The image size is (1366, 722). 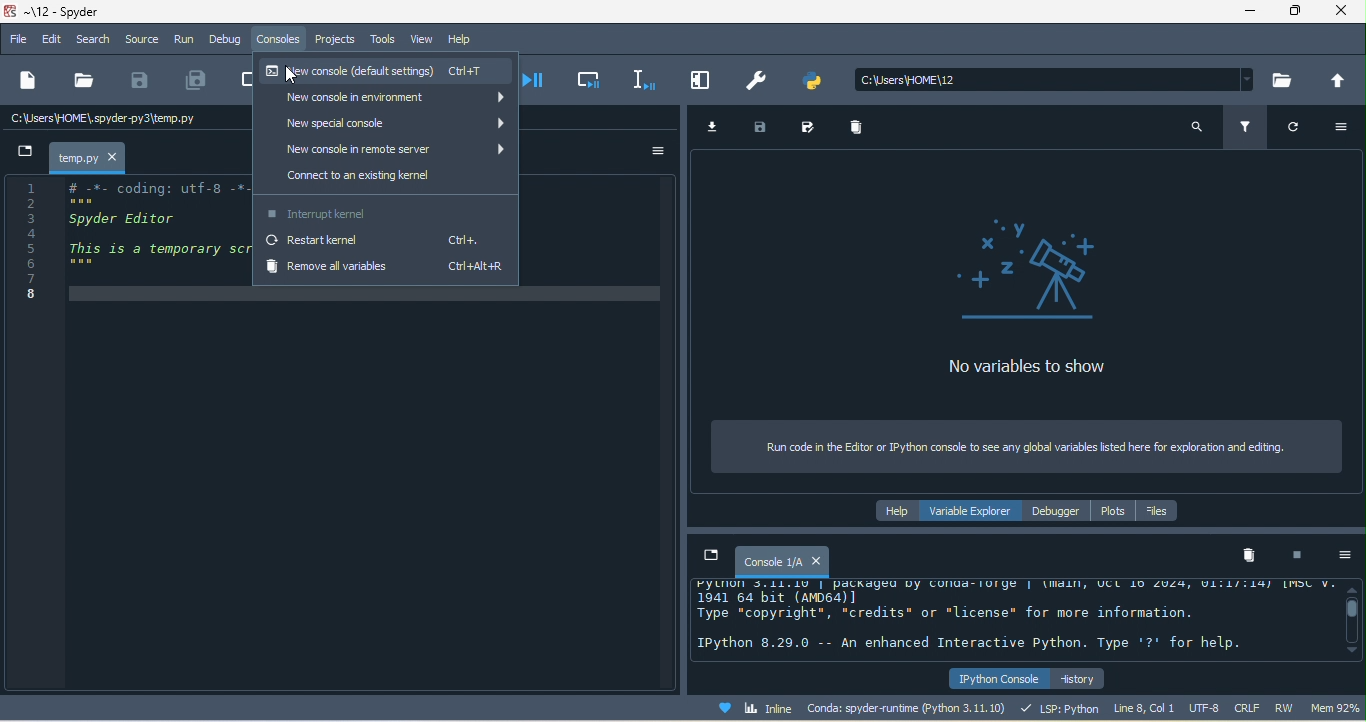 What do you see at coordinates (1115, 512) in the screenshot?
I see `plots` at bounding box center [1115, 512].